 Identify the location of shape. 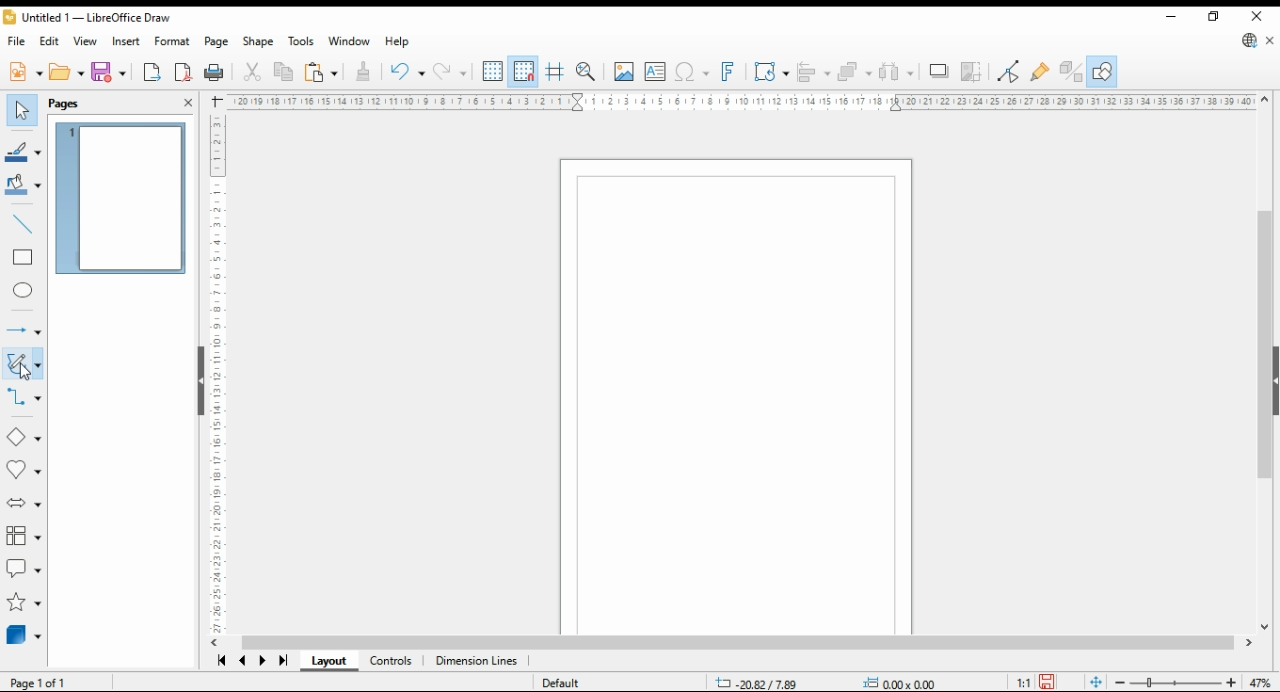
(259, 41).